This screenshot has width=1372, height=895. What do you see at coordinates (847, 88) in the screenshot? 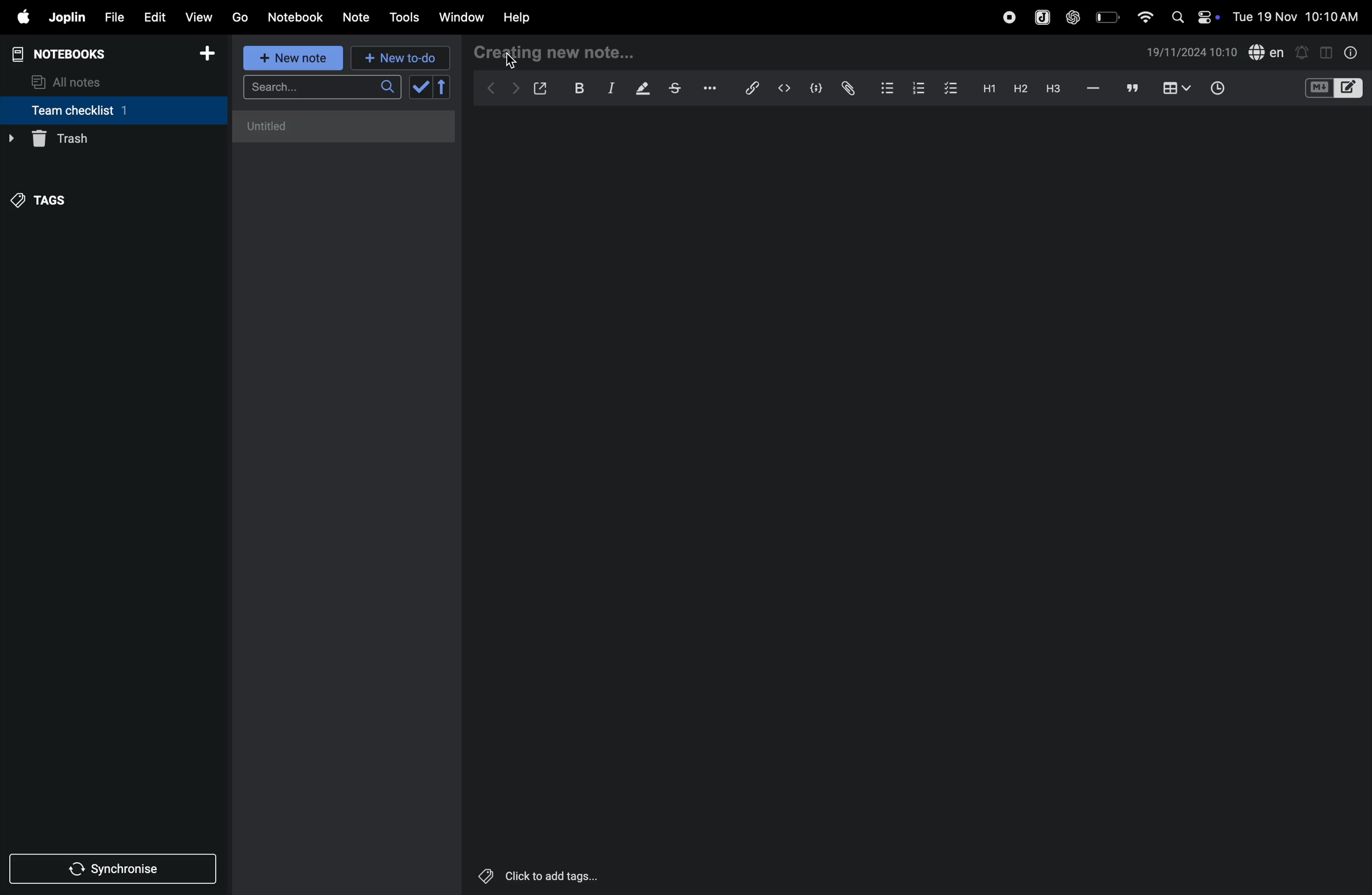
I see `attach file` at bounding box center [847, 88].